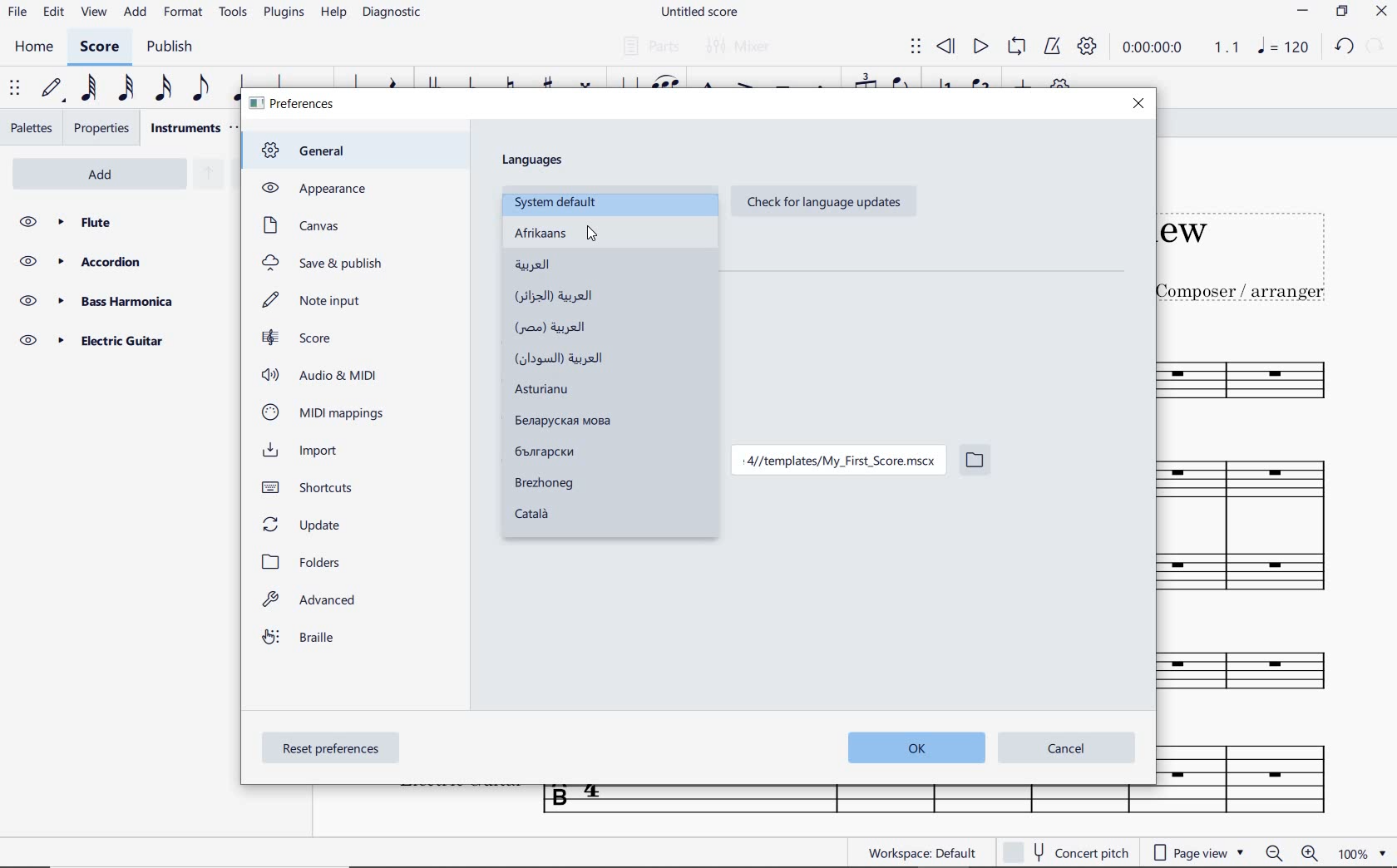 Image resolution: width=1397 pixels, height=868 pixels. What do you see at coordinates (304, 523) in the screenshot?
I see `update` at bounding box center [304, 523].